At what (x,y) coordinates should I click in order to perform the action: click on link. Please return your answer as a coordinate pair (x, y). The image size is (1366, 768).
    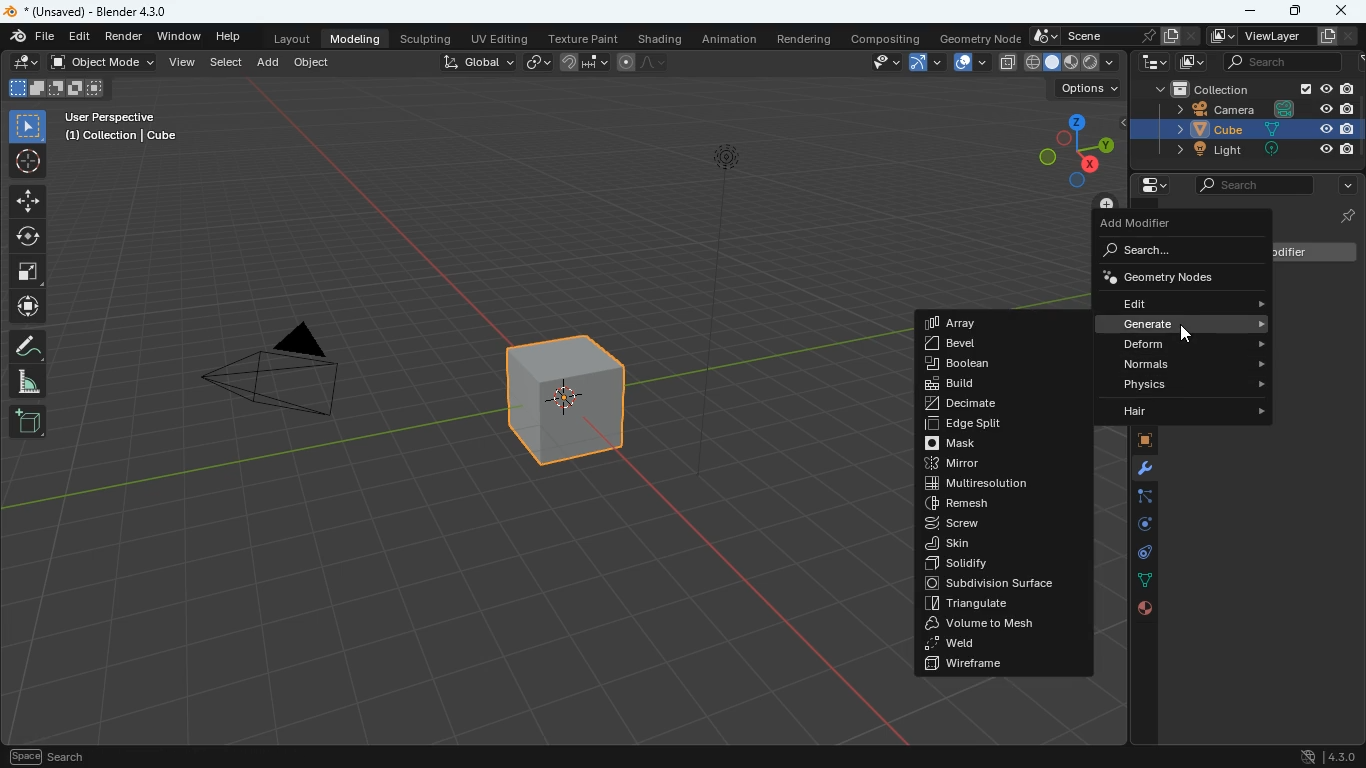
    Looking at the image, I should click on (540, 63).